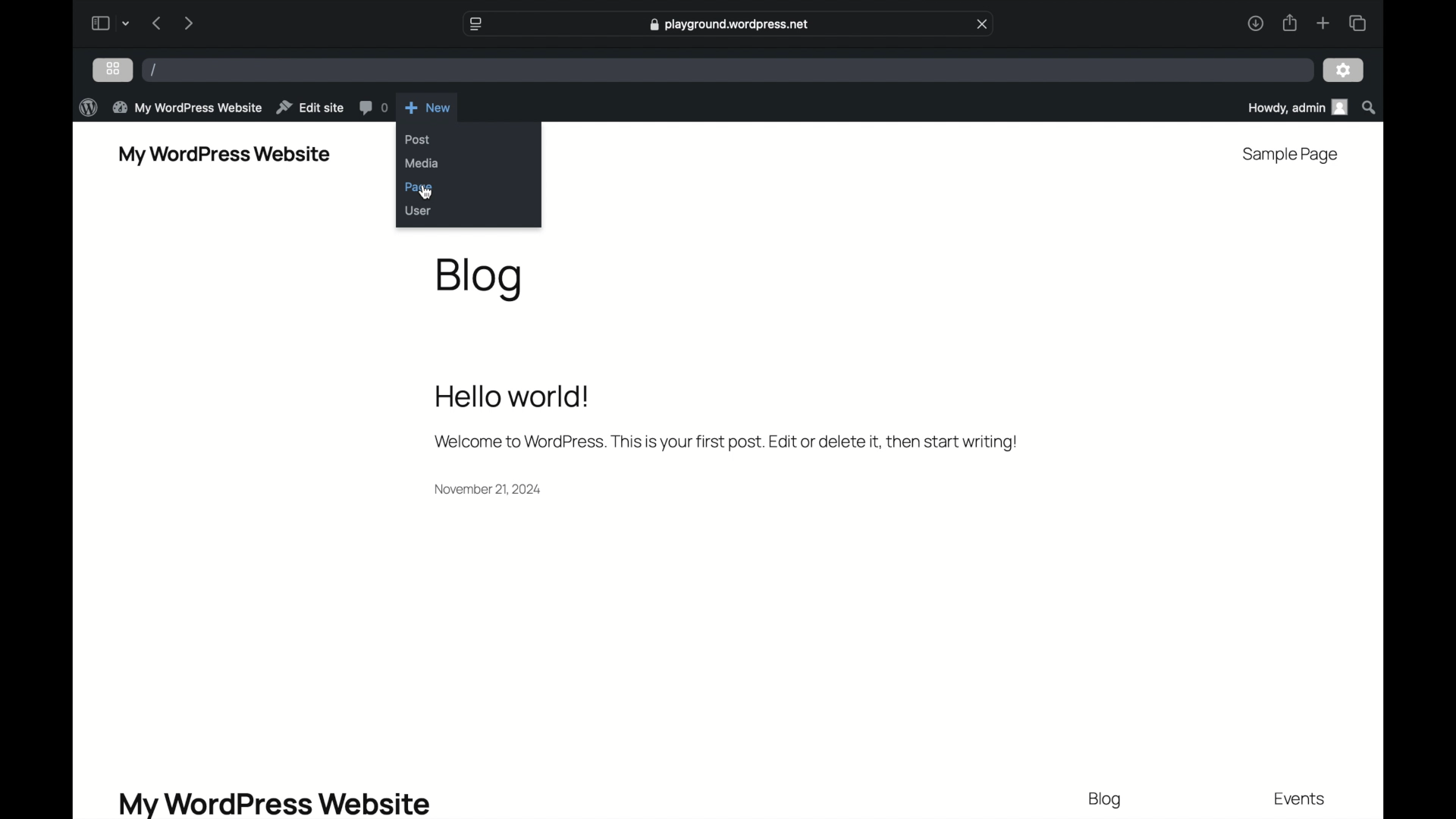  Describe the element at coordinates (188, 23) in the screenshot. I see `next page` at that location.